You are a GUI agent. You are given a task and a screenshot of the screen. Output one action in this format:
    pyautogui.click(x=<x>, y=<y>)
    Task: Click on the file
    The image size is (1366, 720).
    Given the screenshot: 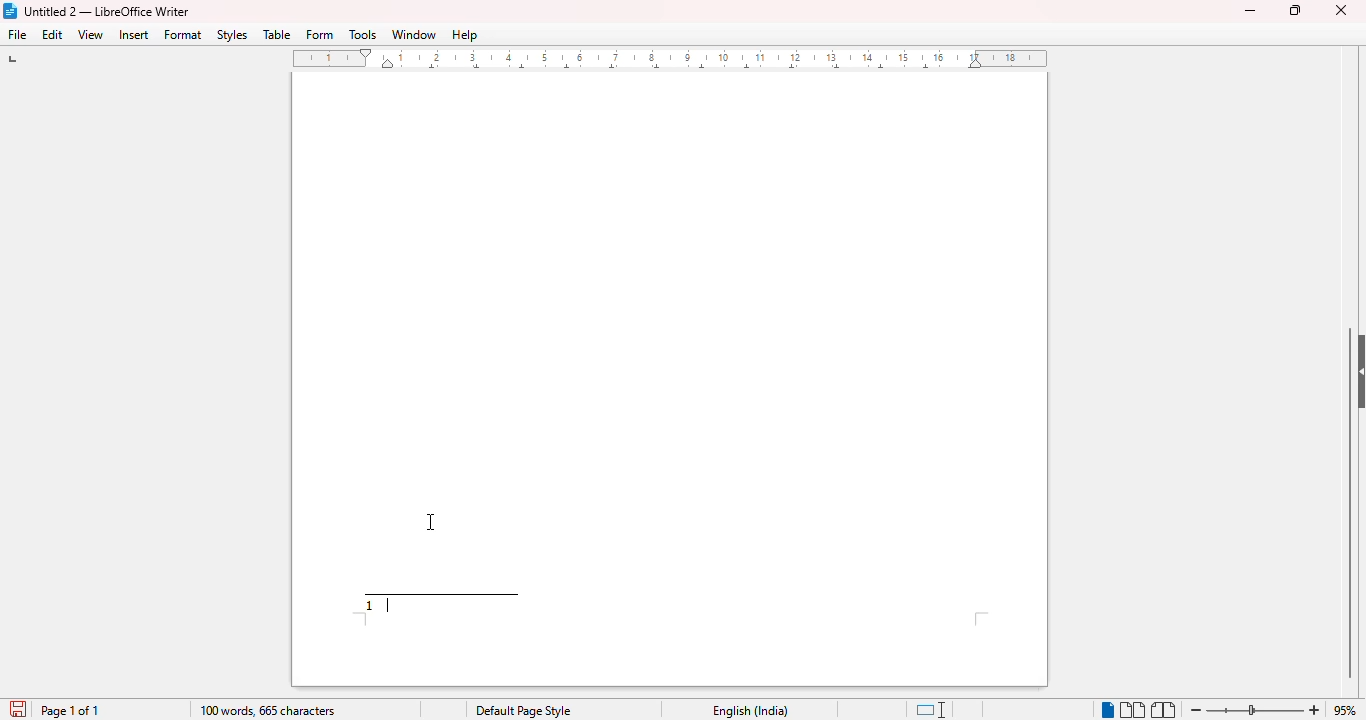 What is the action you would take?
    pyautogui.click(x=18, y=34)
    